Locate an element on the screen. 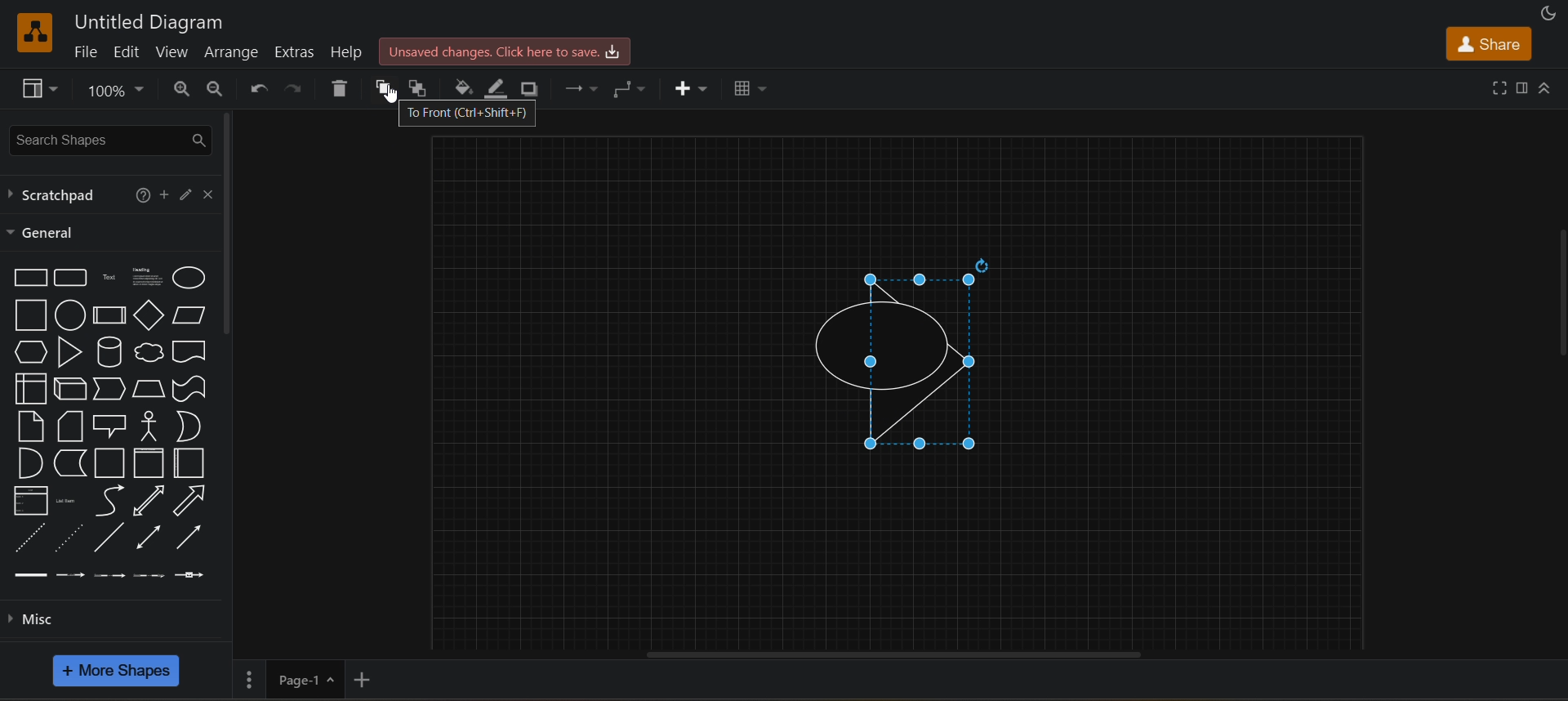 Image resolution: width=1568 pixels, height=701 pixels. appearance is located at coordinates (1550, 14).